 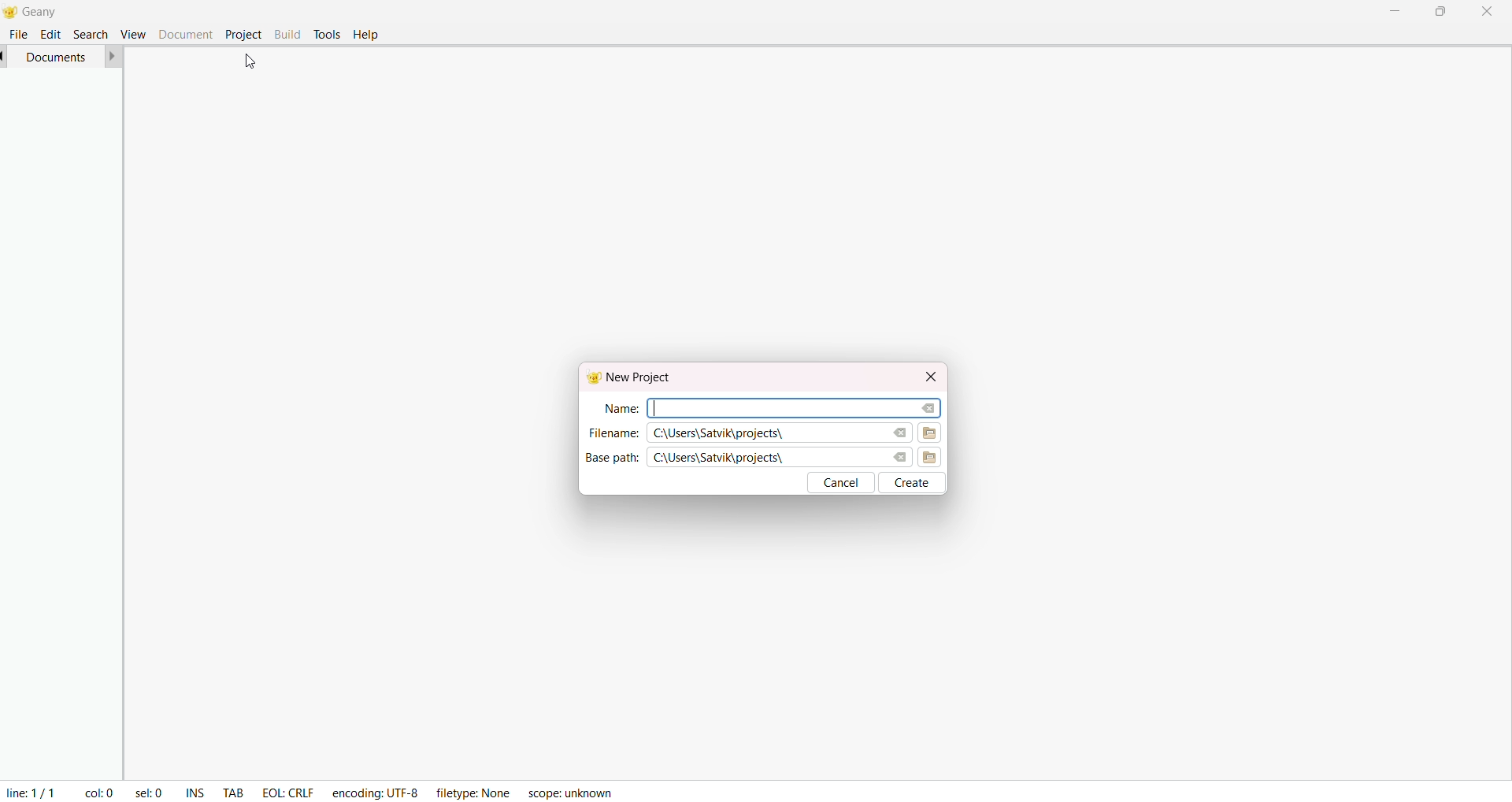 I want to click on Geany logo, so click(x=586, y=377).